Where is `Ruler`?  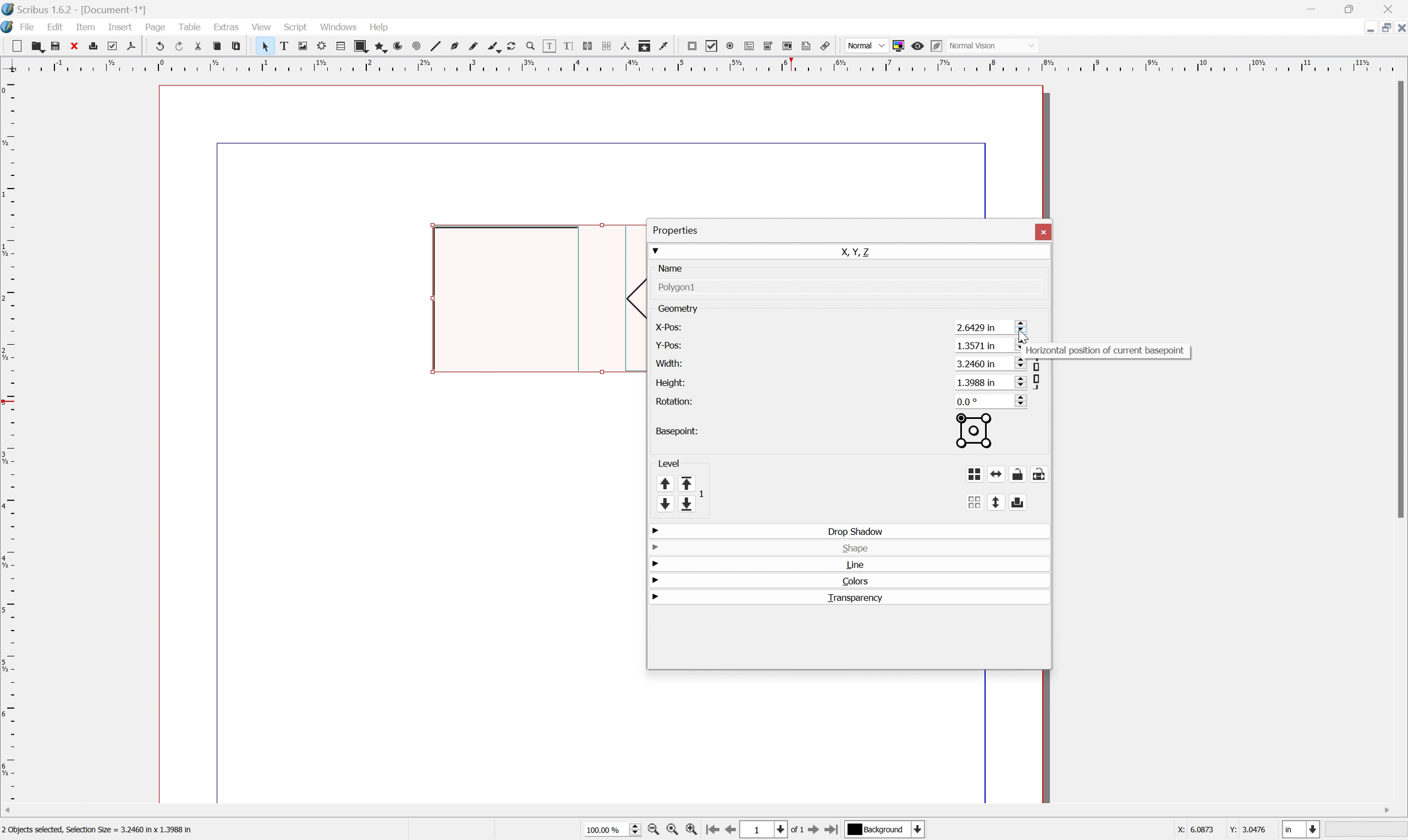 Ruler is located at coordinates (9, 437).